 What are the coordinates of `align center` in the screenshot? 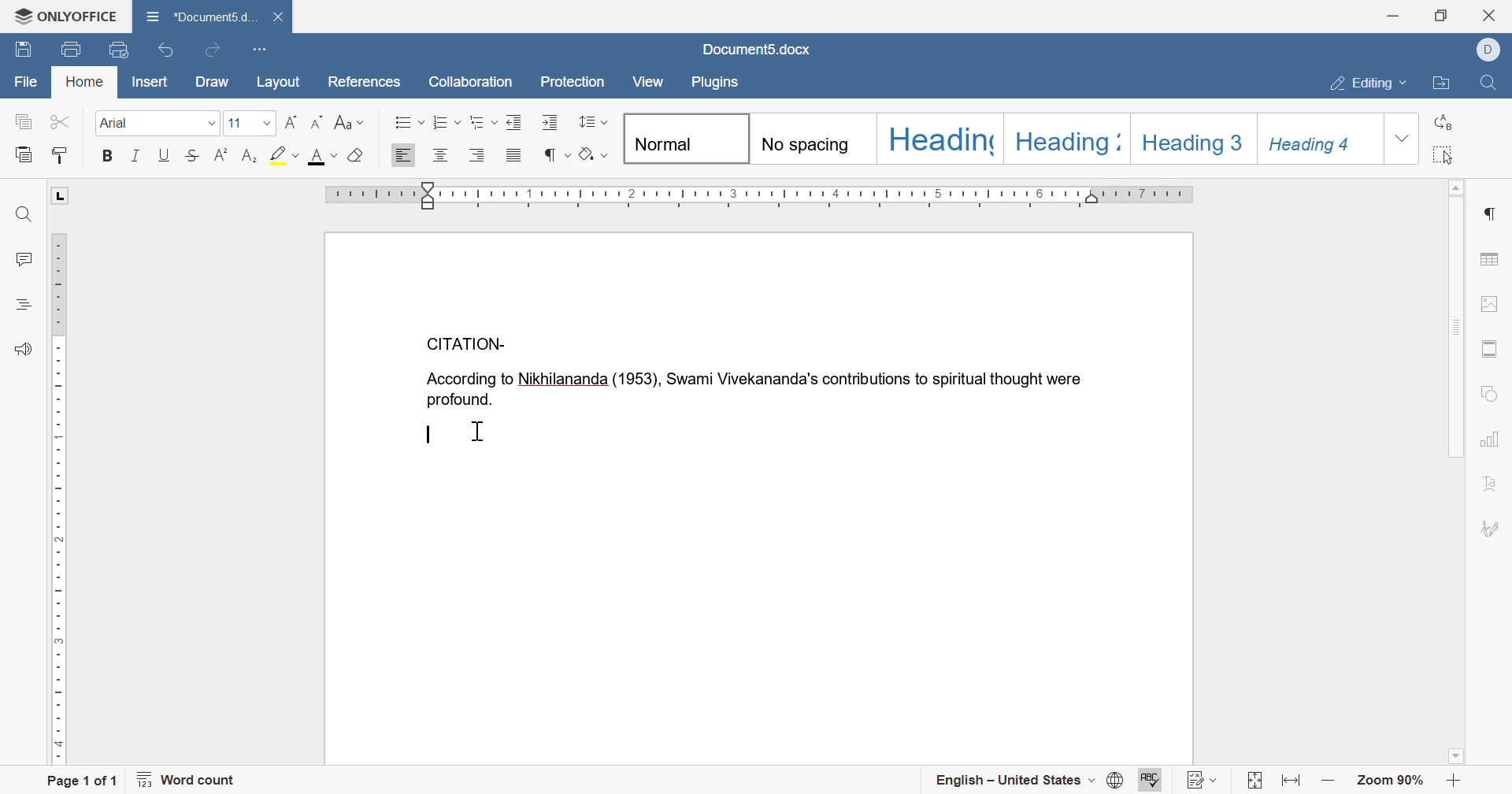 It's located at (440, 157).